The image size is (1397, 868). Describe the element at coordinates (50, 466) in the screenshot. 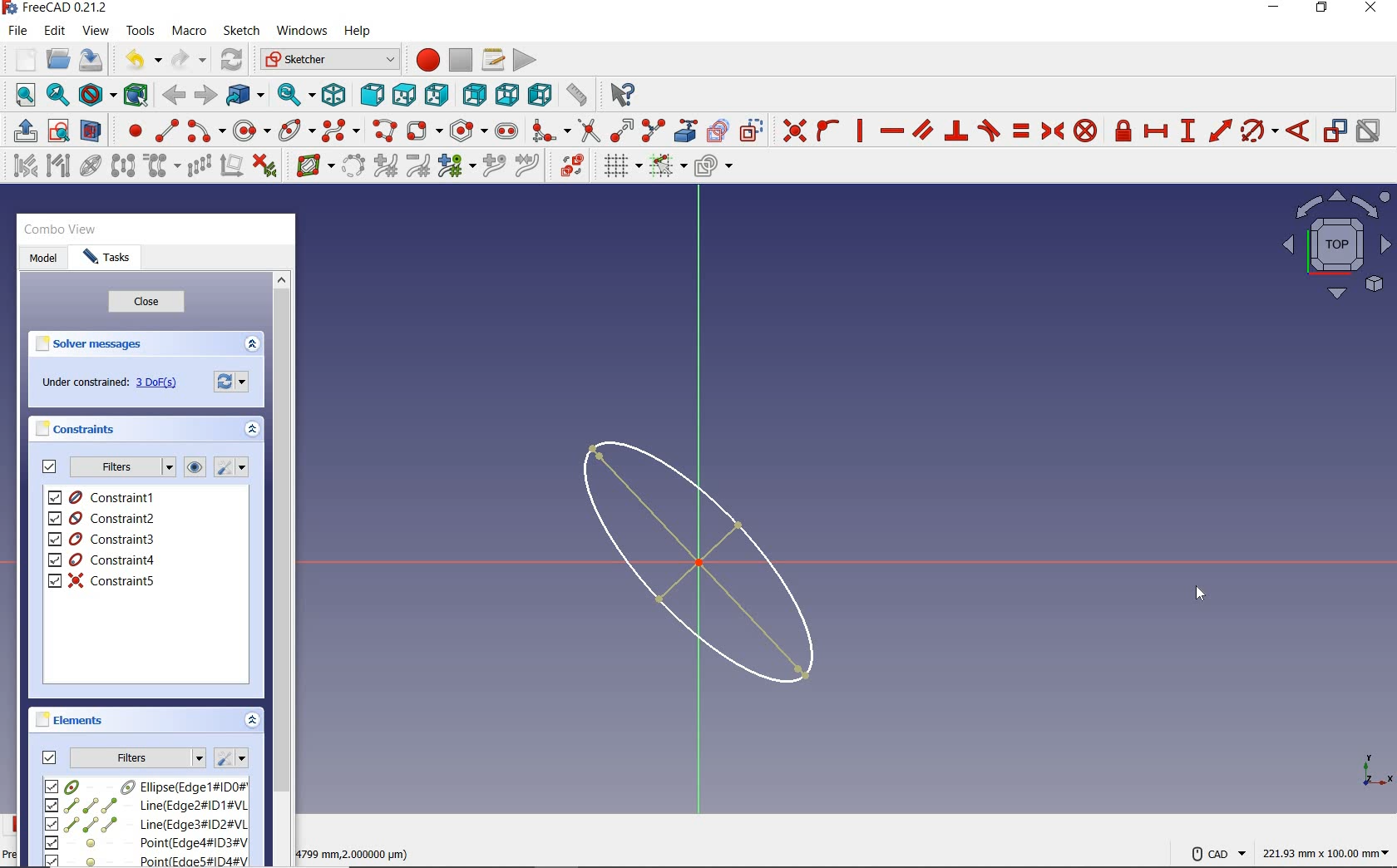

I see `check to toggle filters` at that location.